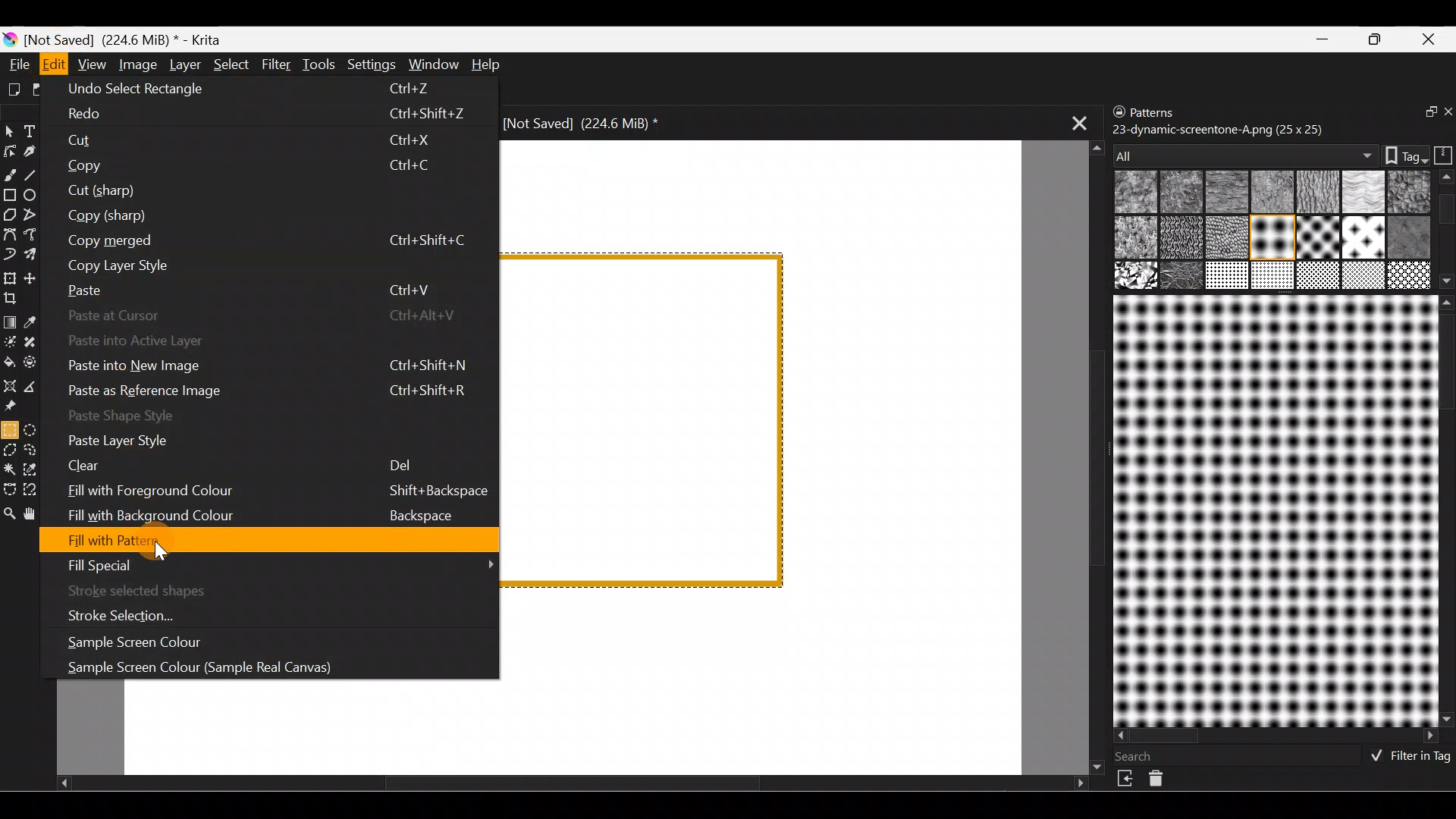  Describe the element at coordinates (33, 130) in the screenshot. I see `Text tool` at that location.